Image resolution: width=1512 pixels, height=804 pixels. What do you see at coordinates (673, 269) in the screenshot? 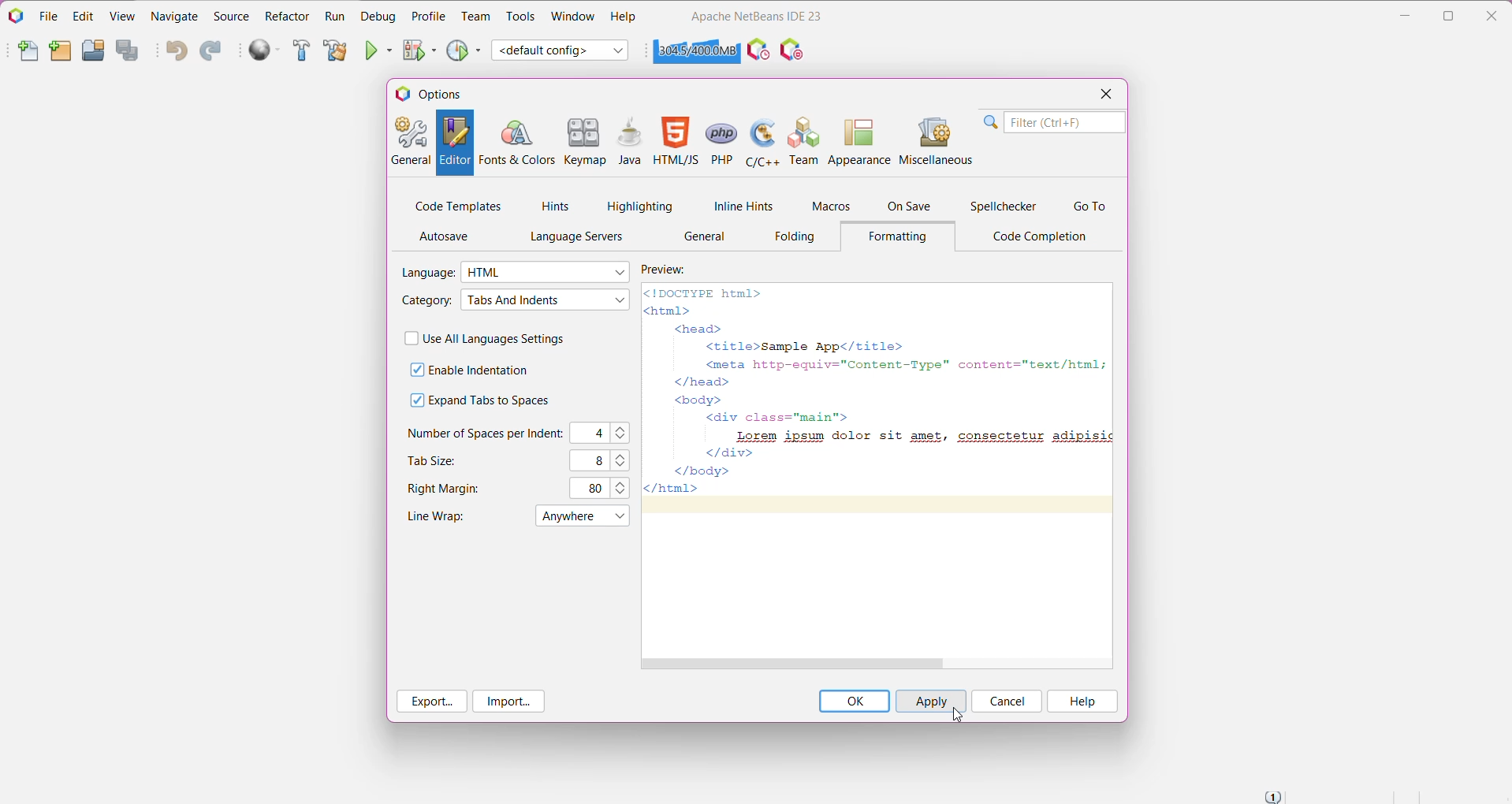
I see `Preview` at bounding box center [673, 269].